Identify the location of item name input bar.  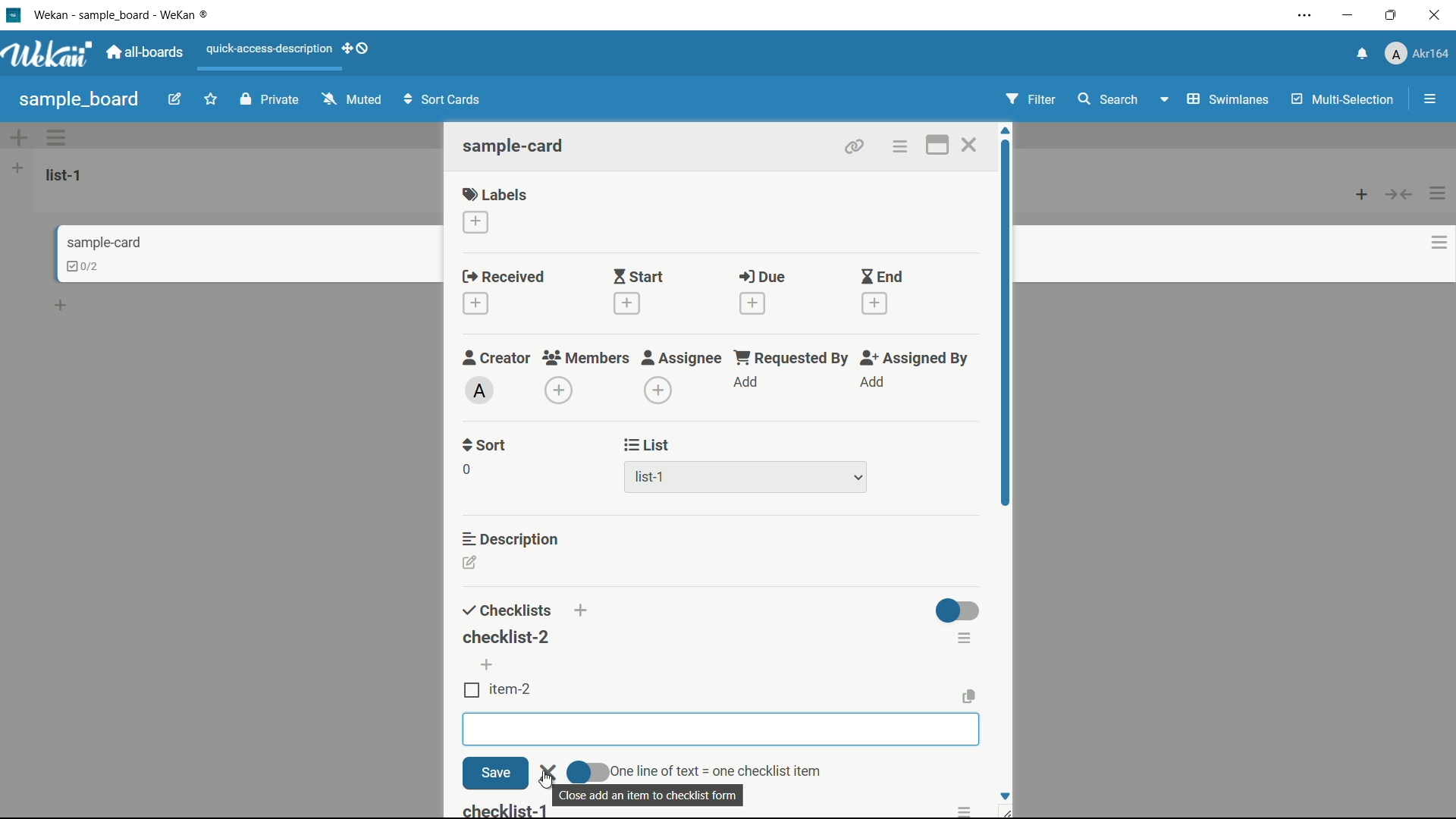
(721, 730).